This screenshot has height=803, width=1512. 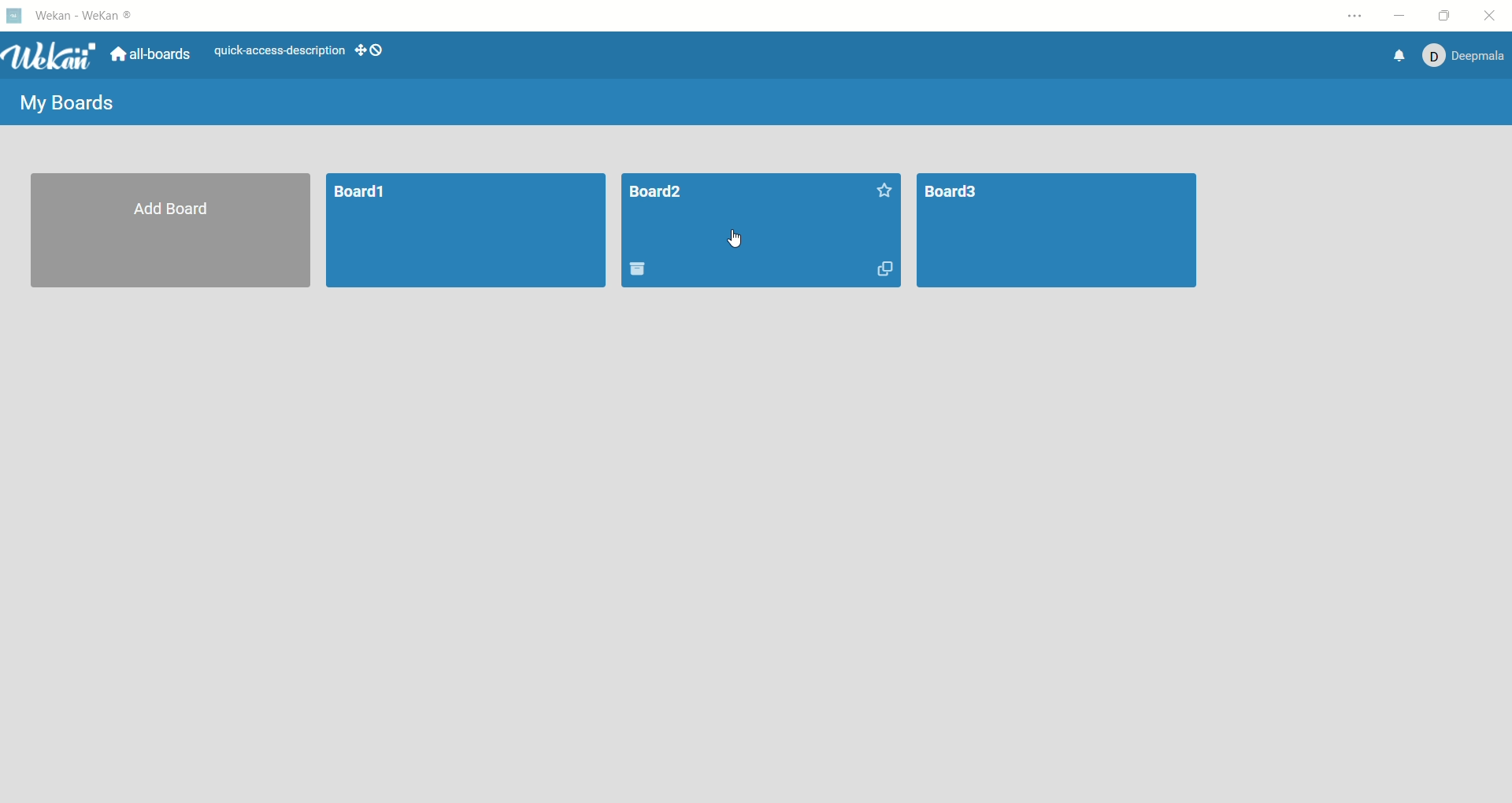 I want to click on all boards, so click(x=157, y=56).